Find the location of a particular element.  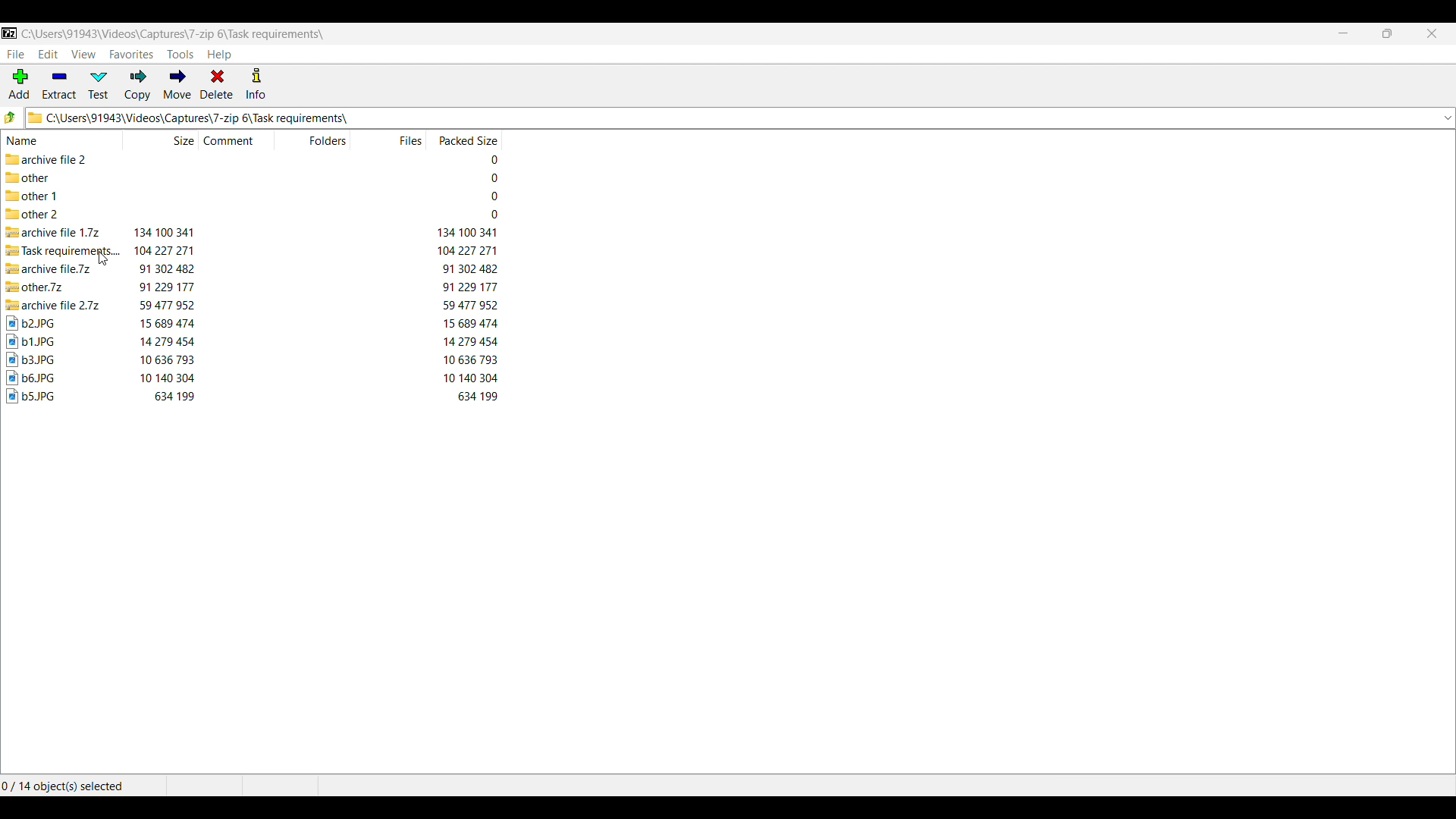

size is located at coordinates (168, 340).